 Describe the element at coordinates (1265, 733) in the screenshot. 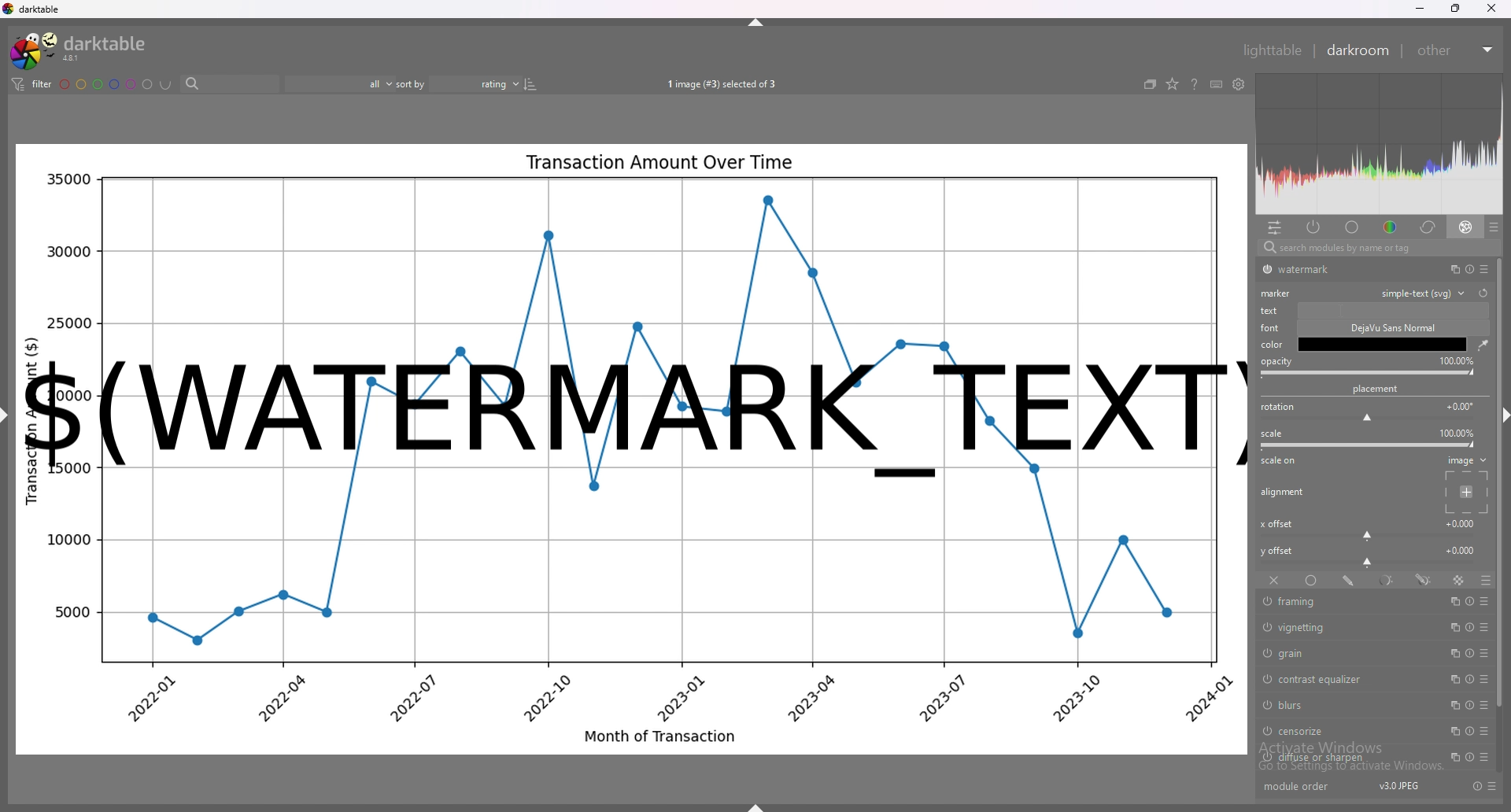

I see `switch off` at that location.